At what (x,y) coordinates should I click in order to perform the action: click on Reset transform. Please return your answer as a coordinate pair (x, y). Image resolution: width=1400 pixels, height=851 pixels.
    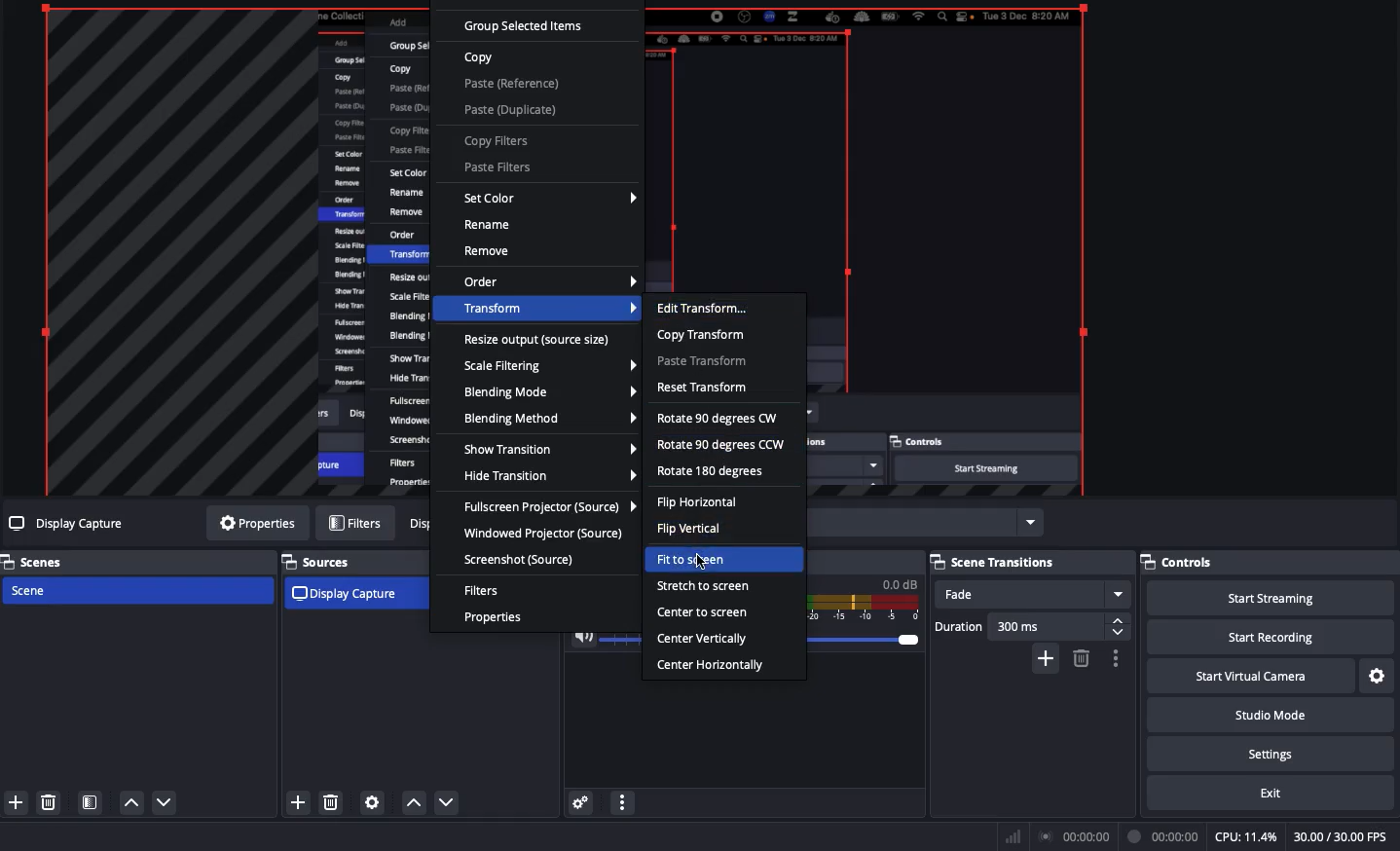
    Looking at the image, I should click on (704, 388).